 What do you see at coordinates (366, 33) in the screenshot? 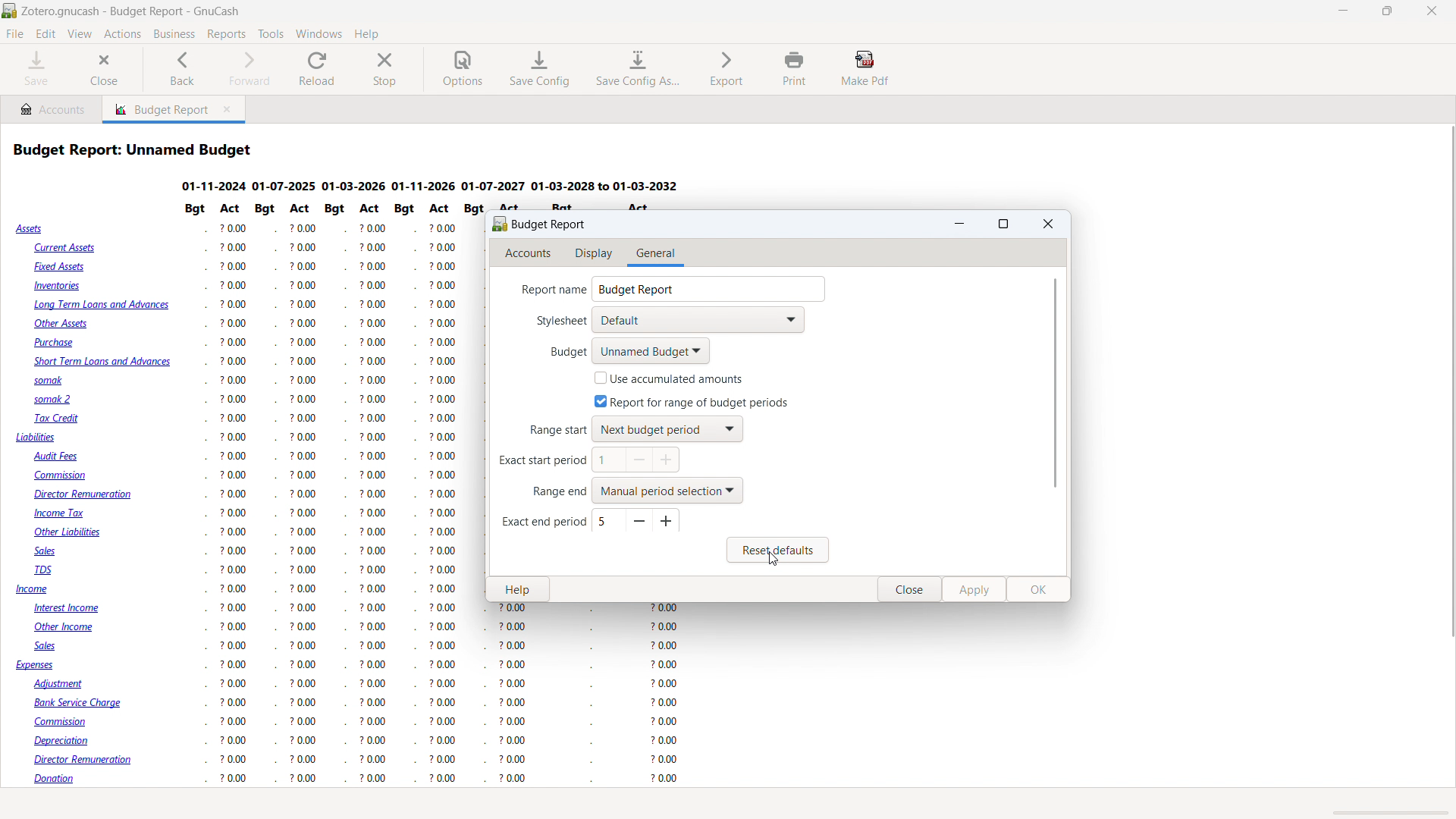
I see `help` at bounding box center [366, 33].